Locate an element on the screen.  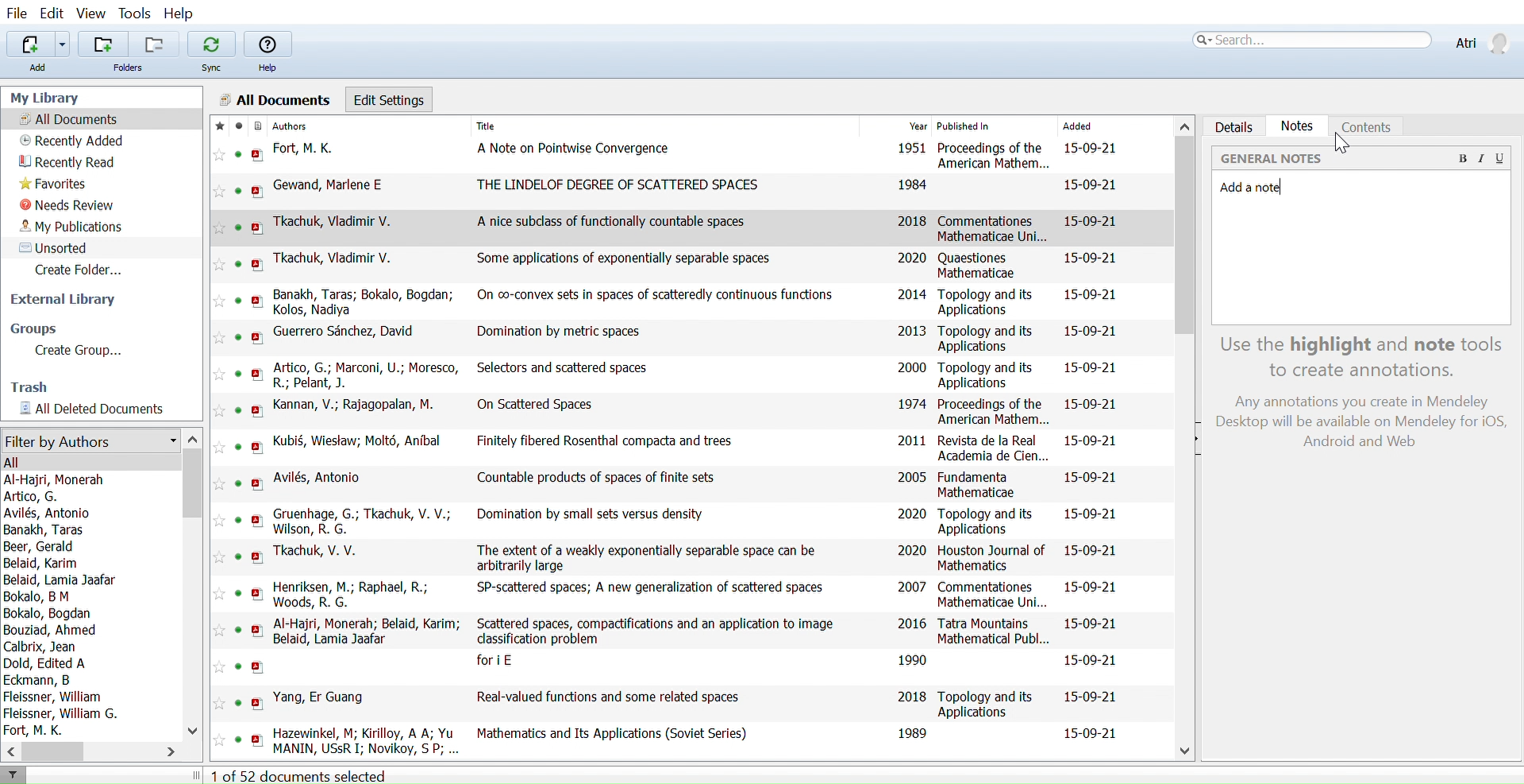
Add this reference to favorites is located at coordinates (220, 228).